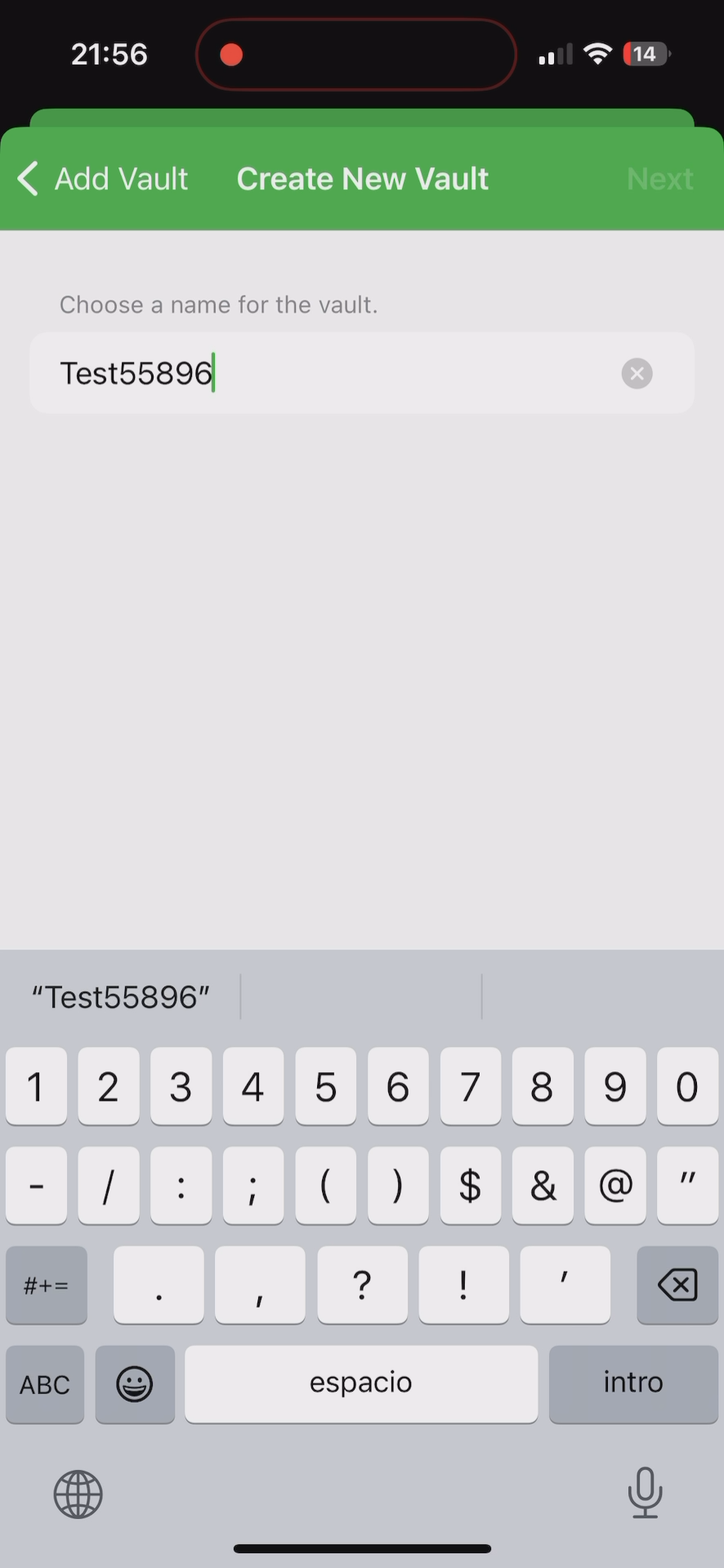 The width and height of the screenshot is (724, 1568). Describe the element at coordinates (661, 175) in the screenshot. I see `next` at that location.